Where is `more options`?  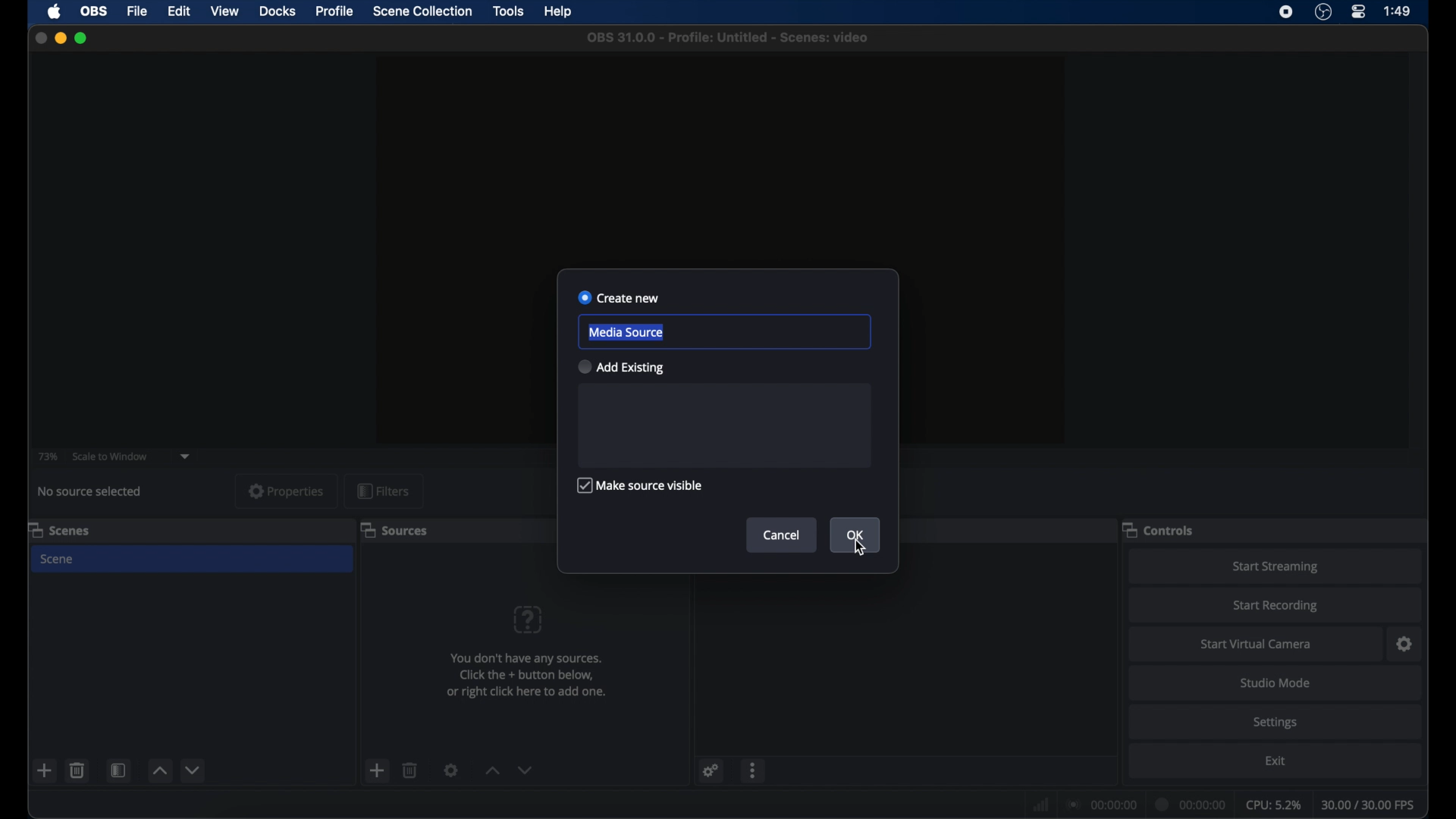
more options is located at coordinates (755, 770).